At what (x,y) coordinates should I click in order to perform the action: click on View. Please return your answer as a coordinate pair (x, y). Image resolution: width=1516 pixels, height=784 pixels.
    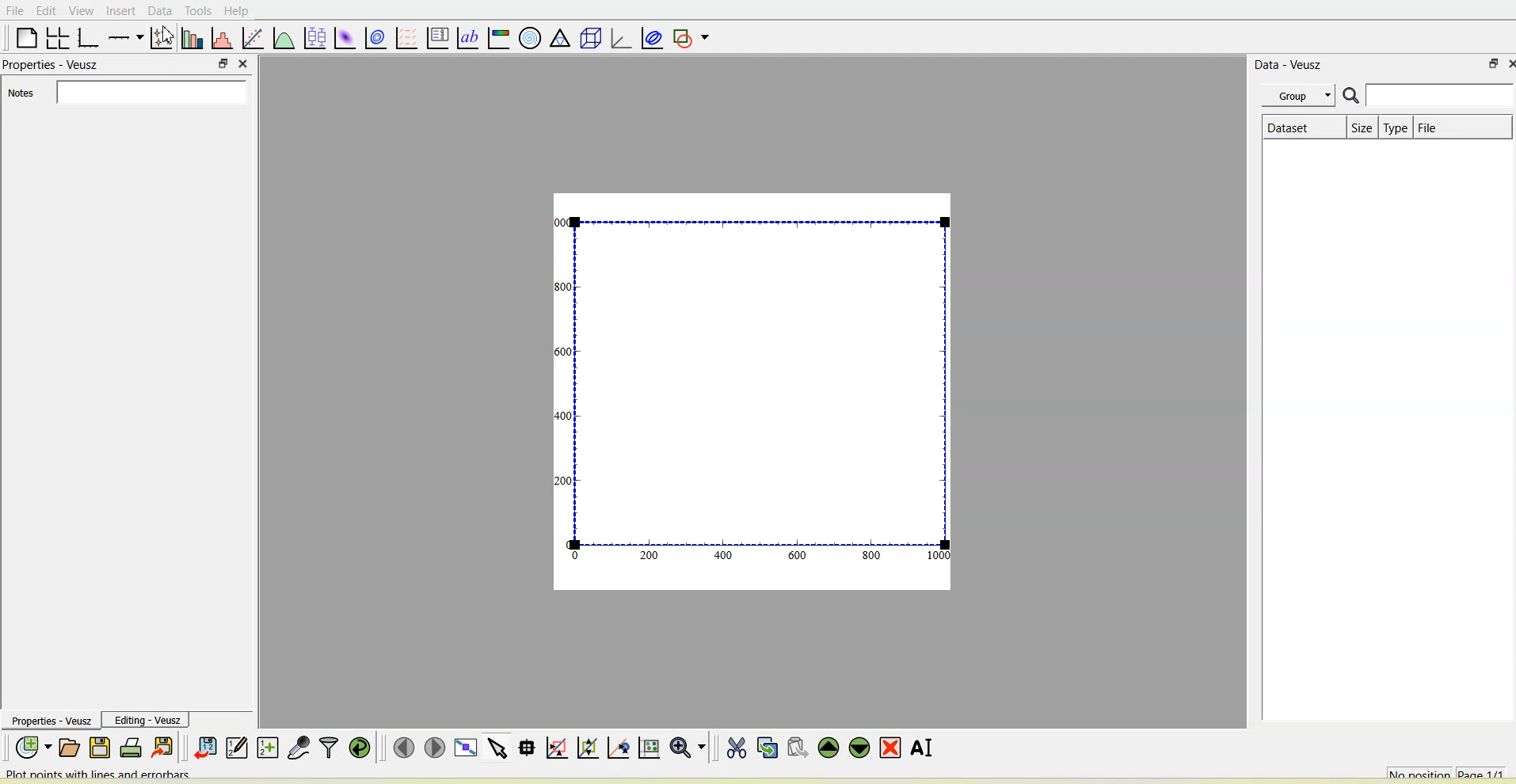
    Looking at the image, I should click on (78, 11).